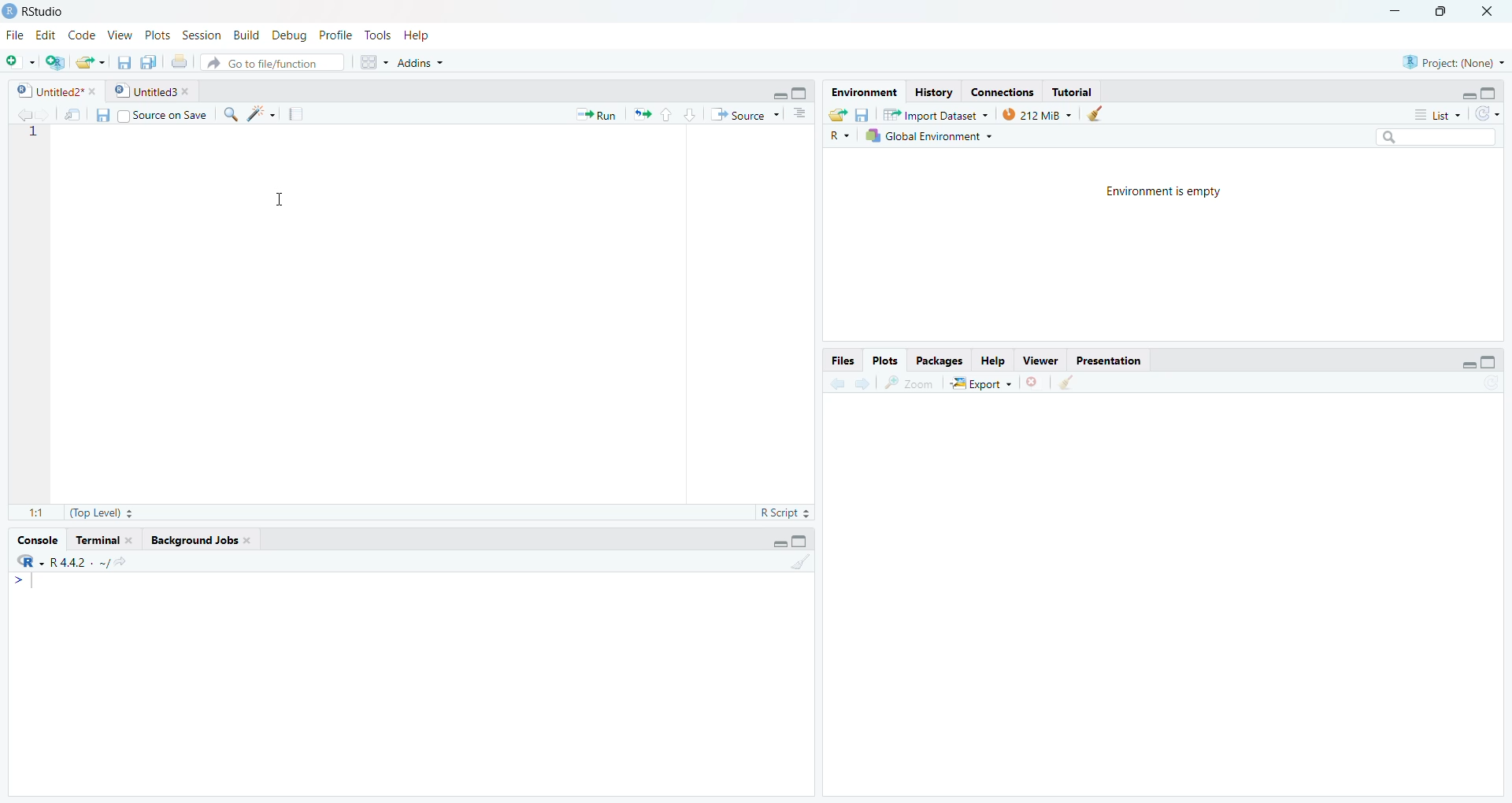  Describe the element at coordinates (28, 583) in the screenshot. I see `` at that location.